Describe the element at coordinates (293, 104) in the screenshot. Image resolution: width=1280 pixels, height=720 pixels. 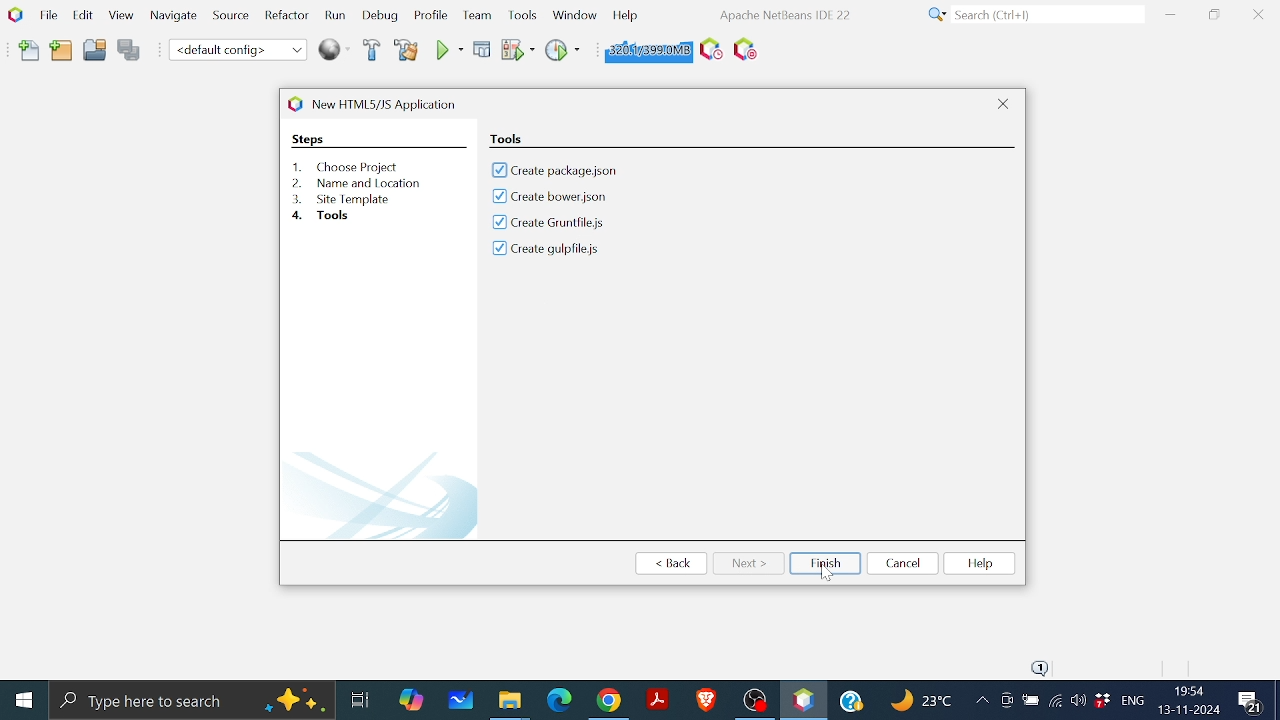
I see `logo` at that location.